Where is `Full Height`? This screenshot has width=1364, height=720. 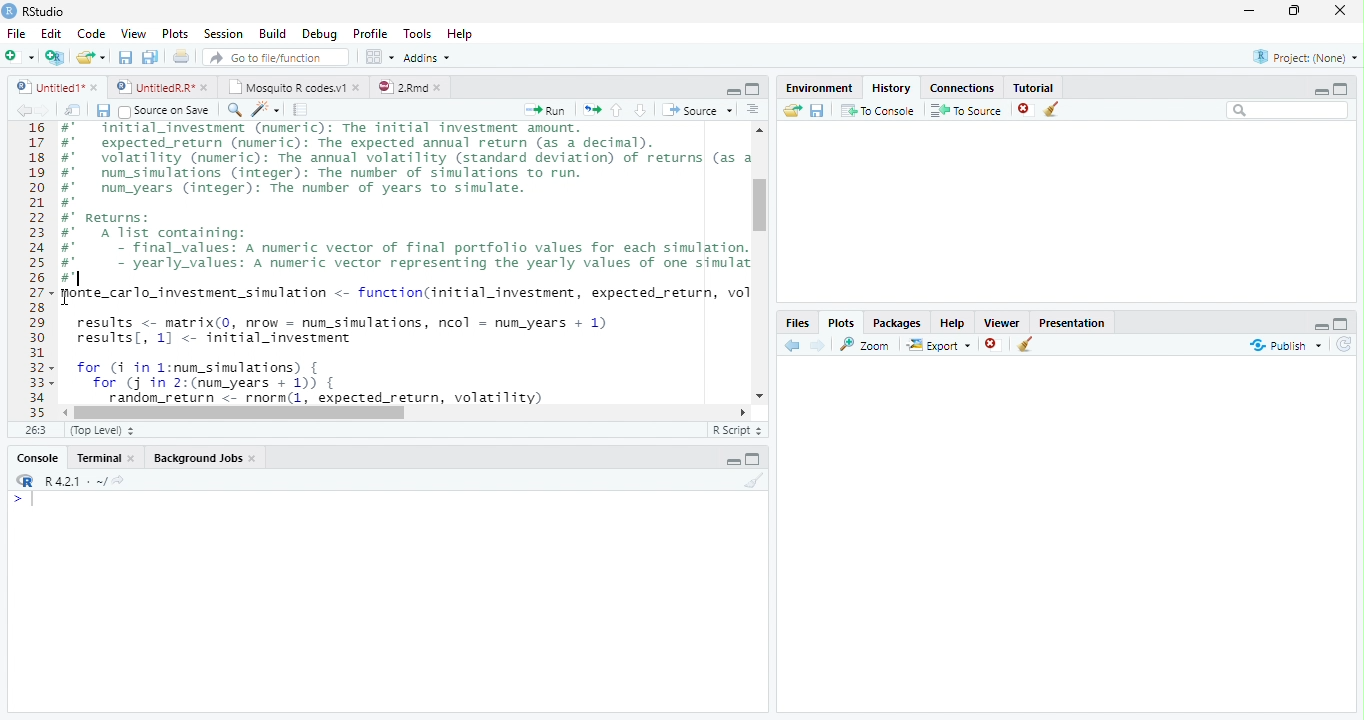 Full Height is located at coordinates (756, 458).